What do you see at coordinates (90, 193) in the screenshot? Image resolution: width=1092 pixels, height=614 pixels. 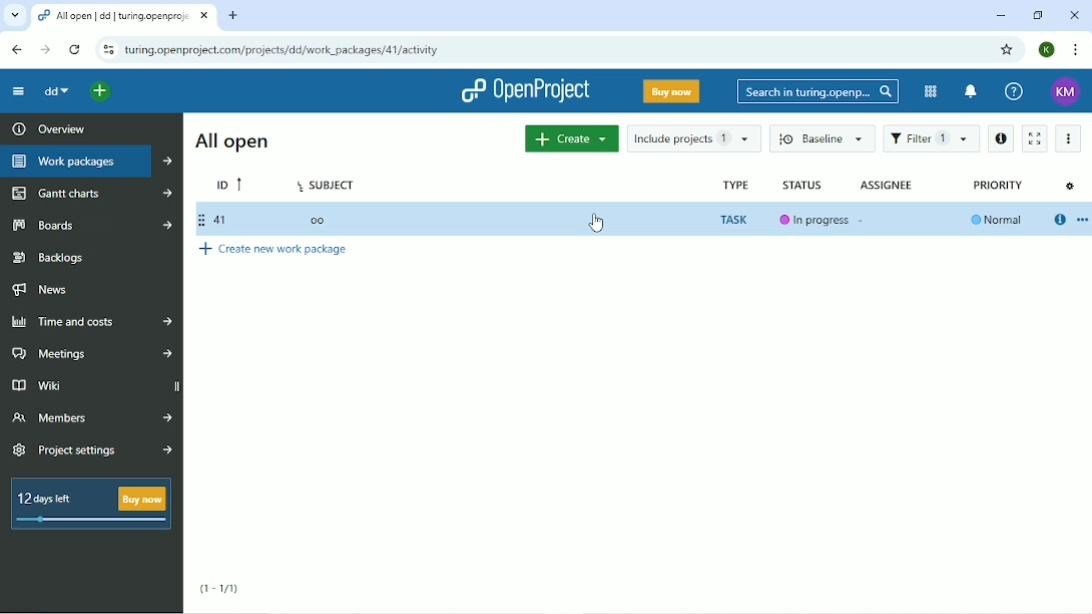 I see `Gantt charts` at bounding box center [90, 193].